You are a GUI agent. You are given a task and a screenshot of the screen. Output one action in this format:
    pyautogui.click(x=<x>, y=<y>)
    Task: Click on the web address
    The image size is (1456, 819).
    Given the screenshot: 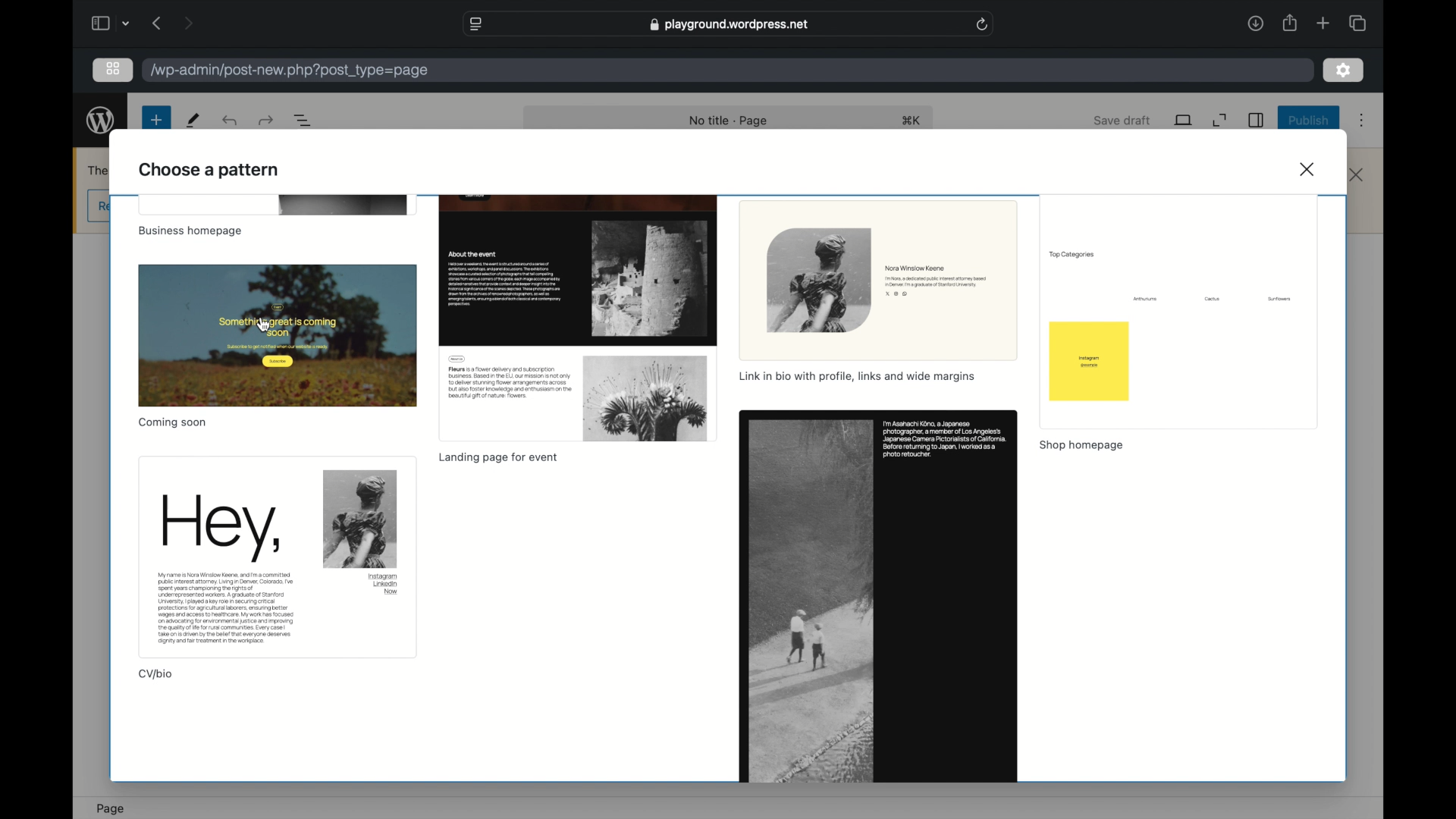 What is the action you would take?
    pyautogui.click(x=728, y=25)
    